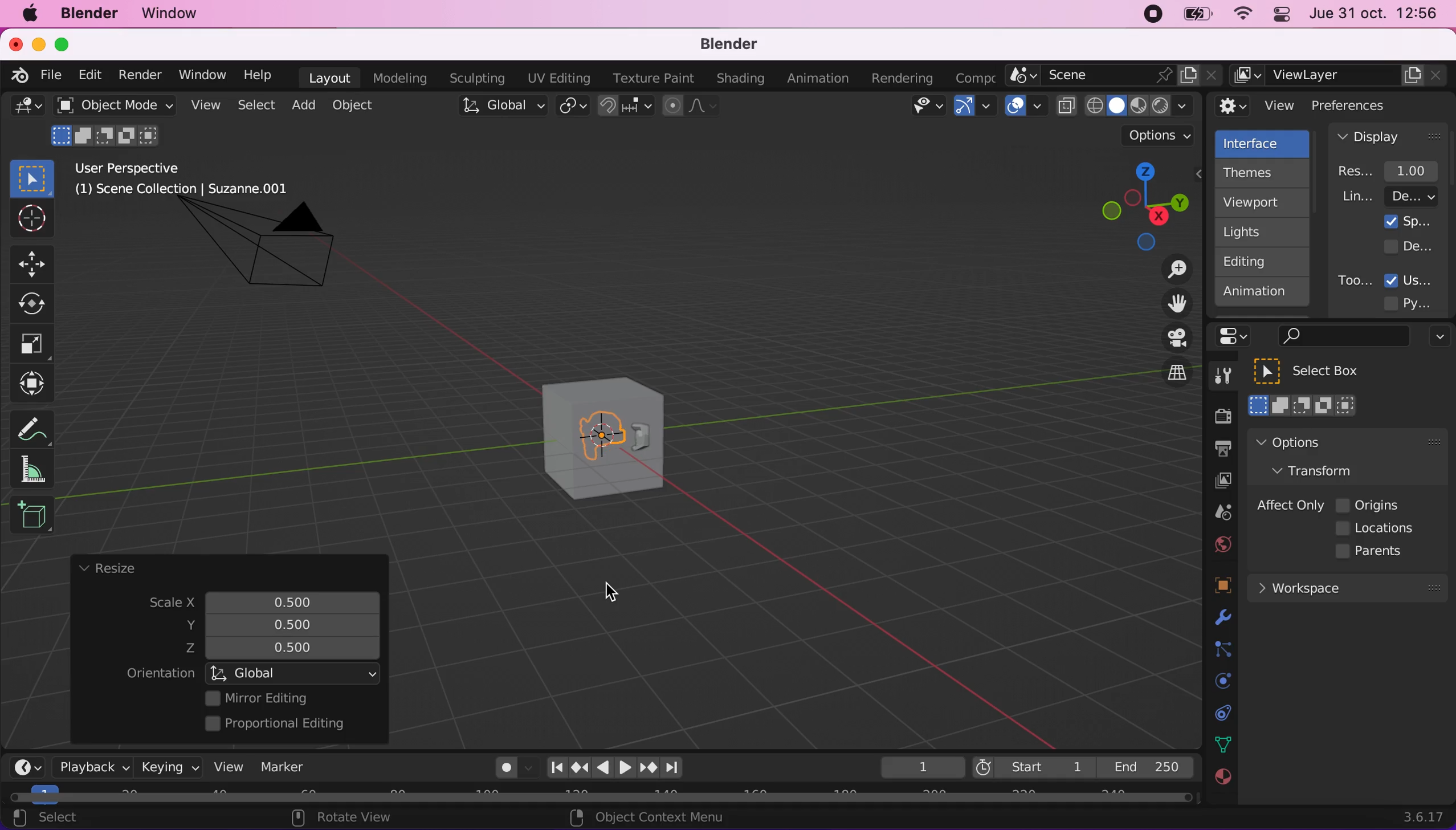  Describe the element at coordinates (23, 758) in the screenshot. I see `editor type` at that location.